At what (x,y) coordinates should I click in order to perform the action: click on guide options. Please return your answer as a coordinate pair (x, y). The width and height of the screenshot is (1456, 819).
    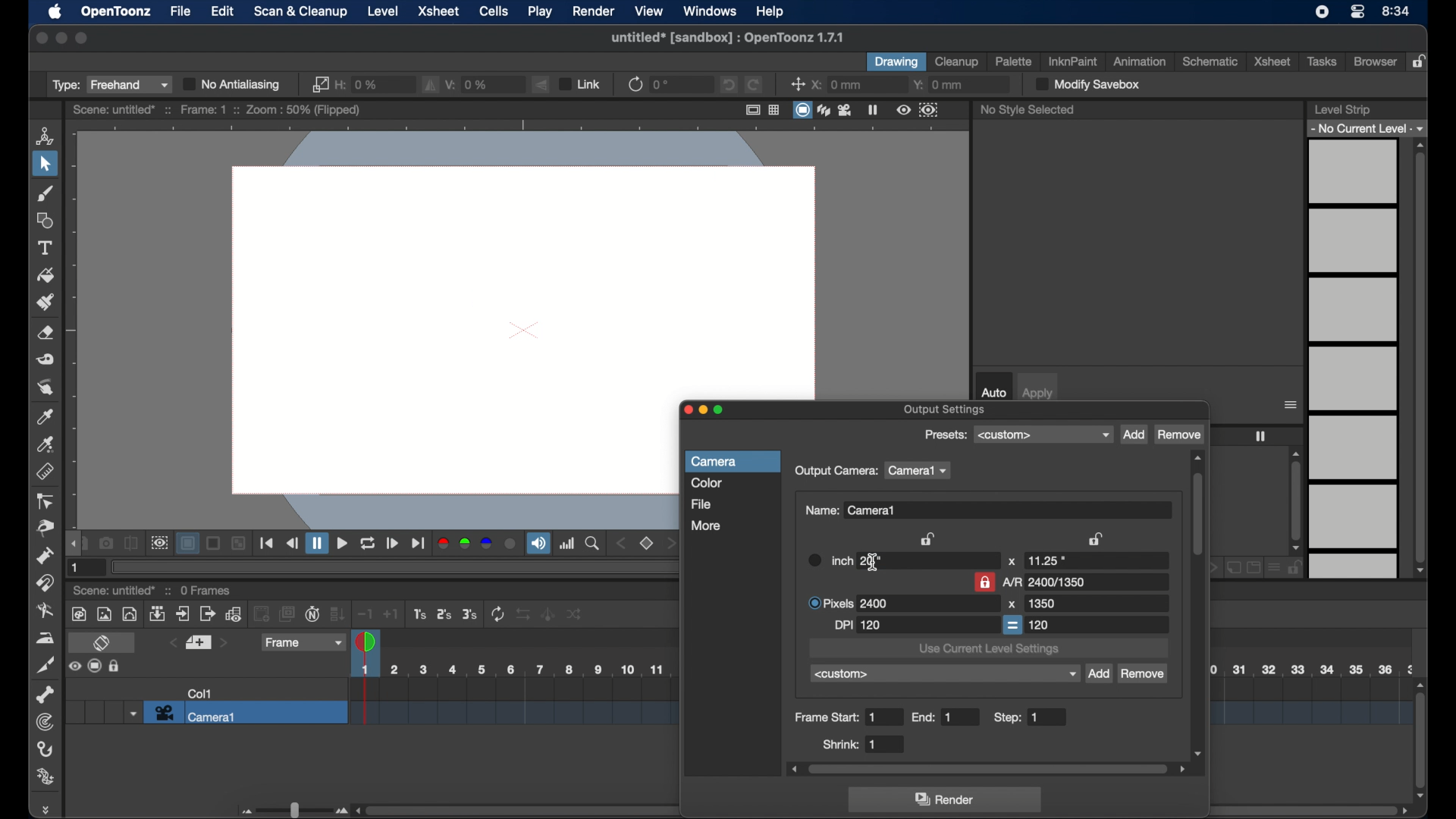
    Looking at the image, I should click on (764, 109).